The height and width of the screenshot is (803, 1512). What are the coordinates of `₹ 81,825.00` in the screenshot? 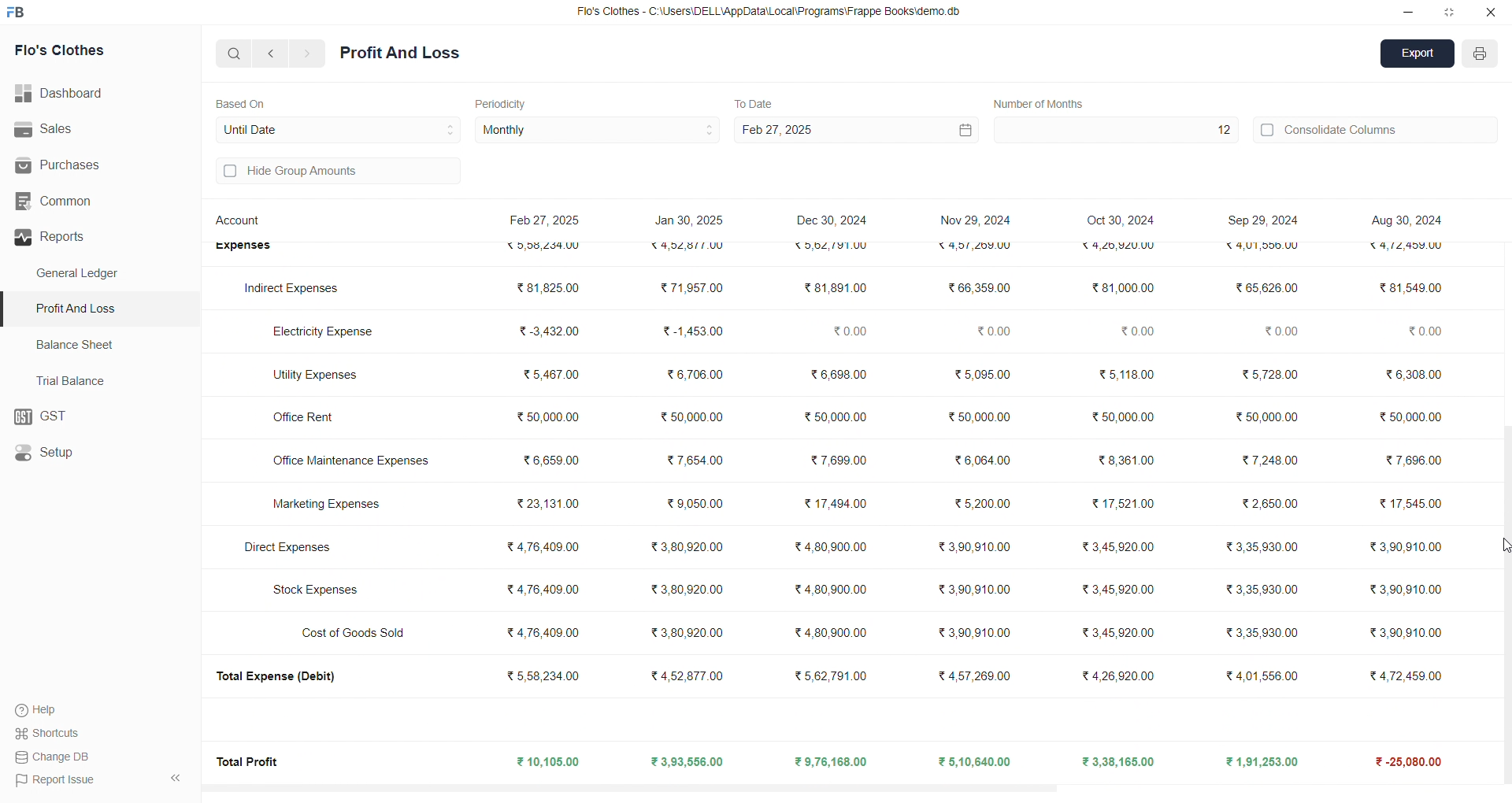 It's located at (544, 287).